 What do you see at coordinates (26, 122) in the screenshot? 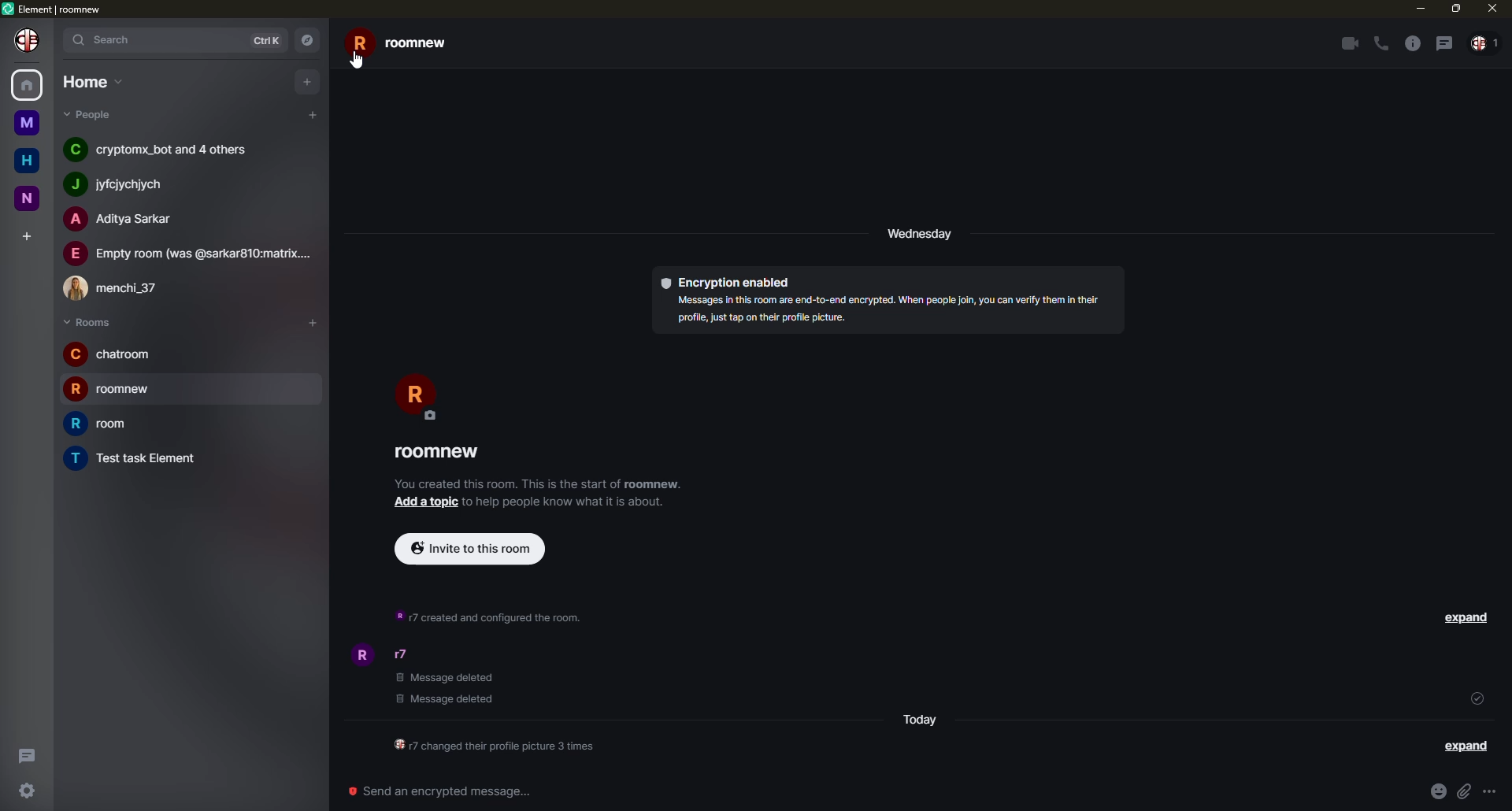
I see `space` at bounding box center [26, 122].